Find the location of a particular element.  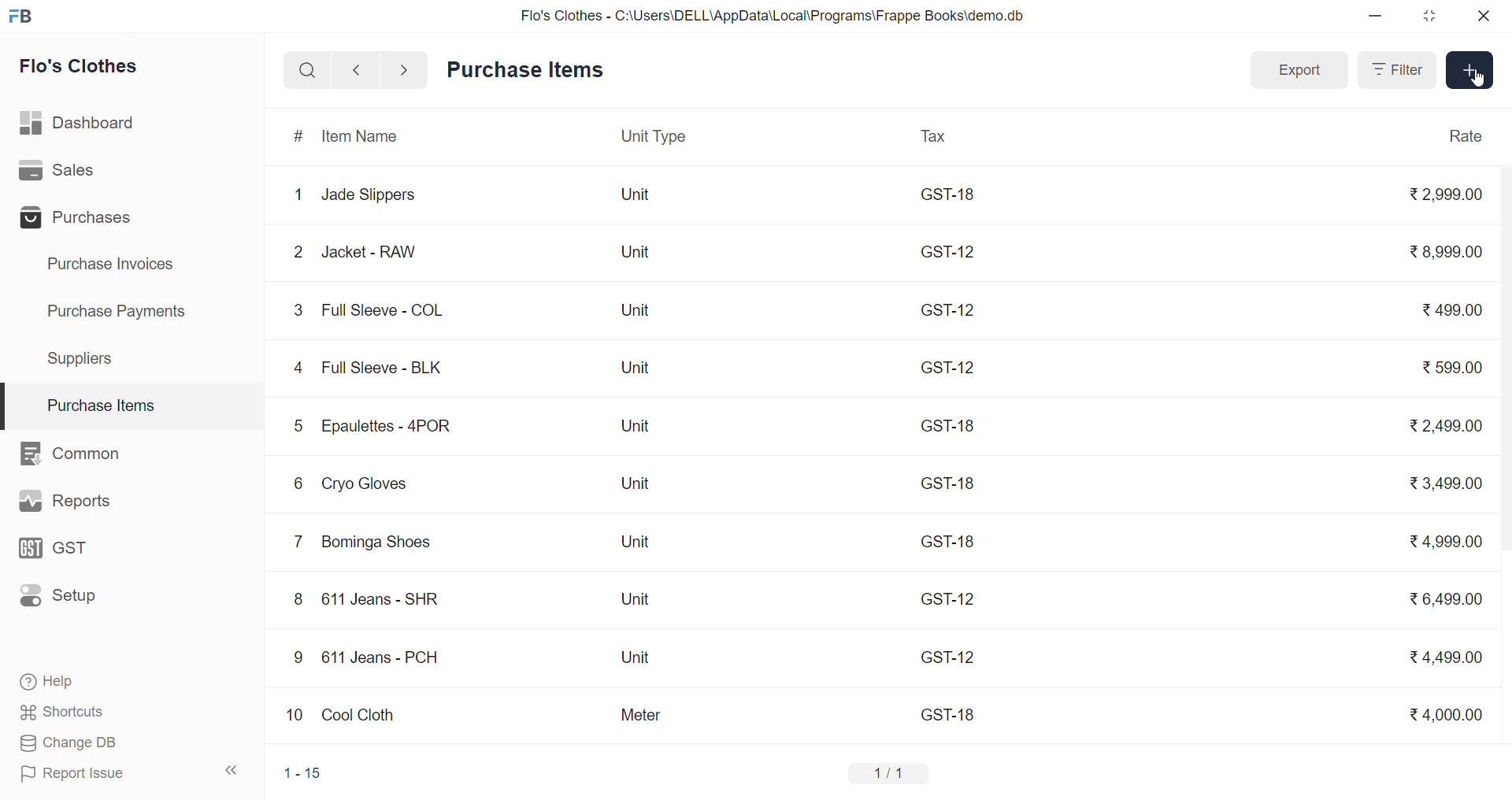

GST-12 is located at coordinates (948, 602).